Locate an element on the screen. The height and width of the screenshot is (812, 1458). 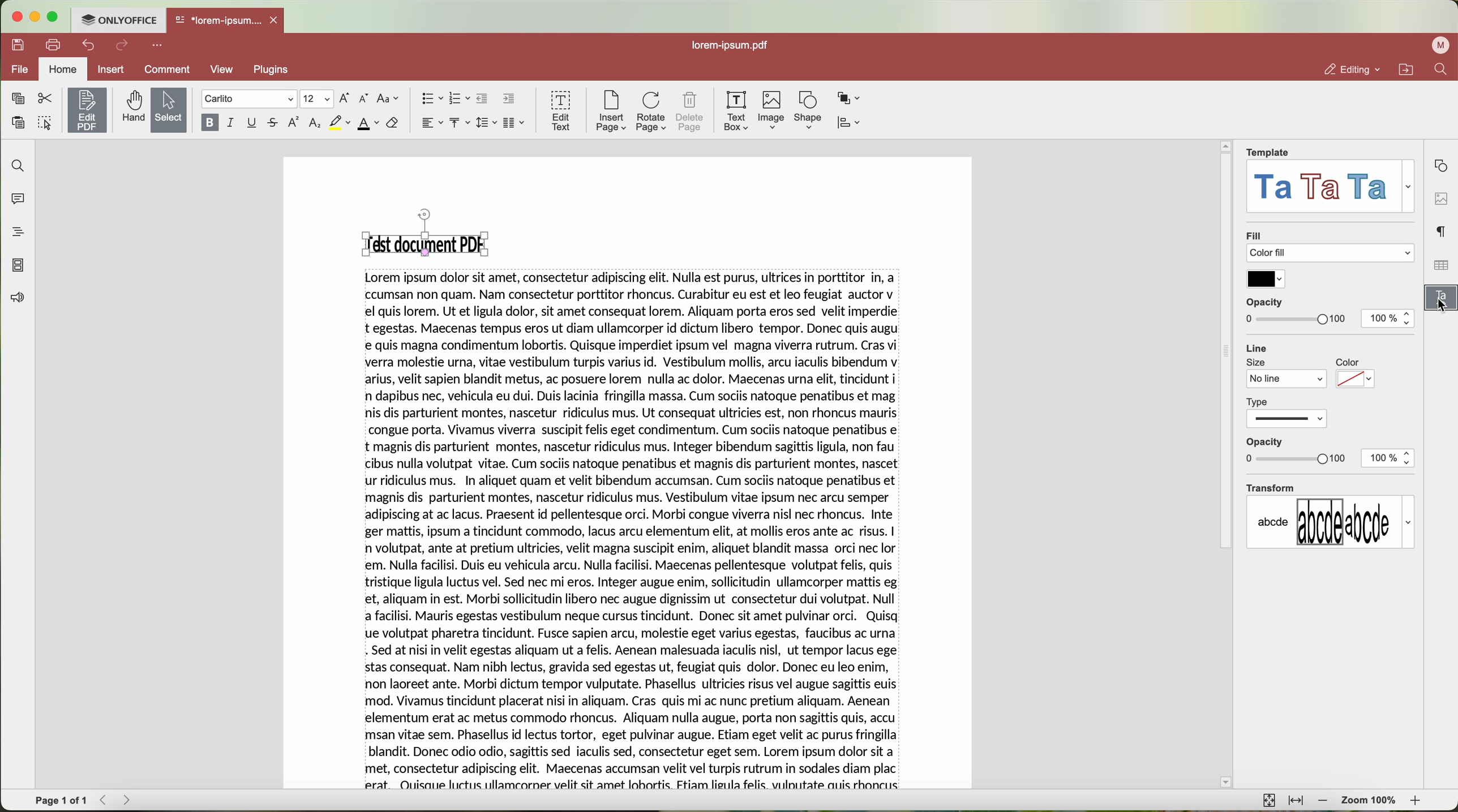
file is located at coordinates (21, 70).